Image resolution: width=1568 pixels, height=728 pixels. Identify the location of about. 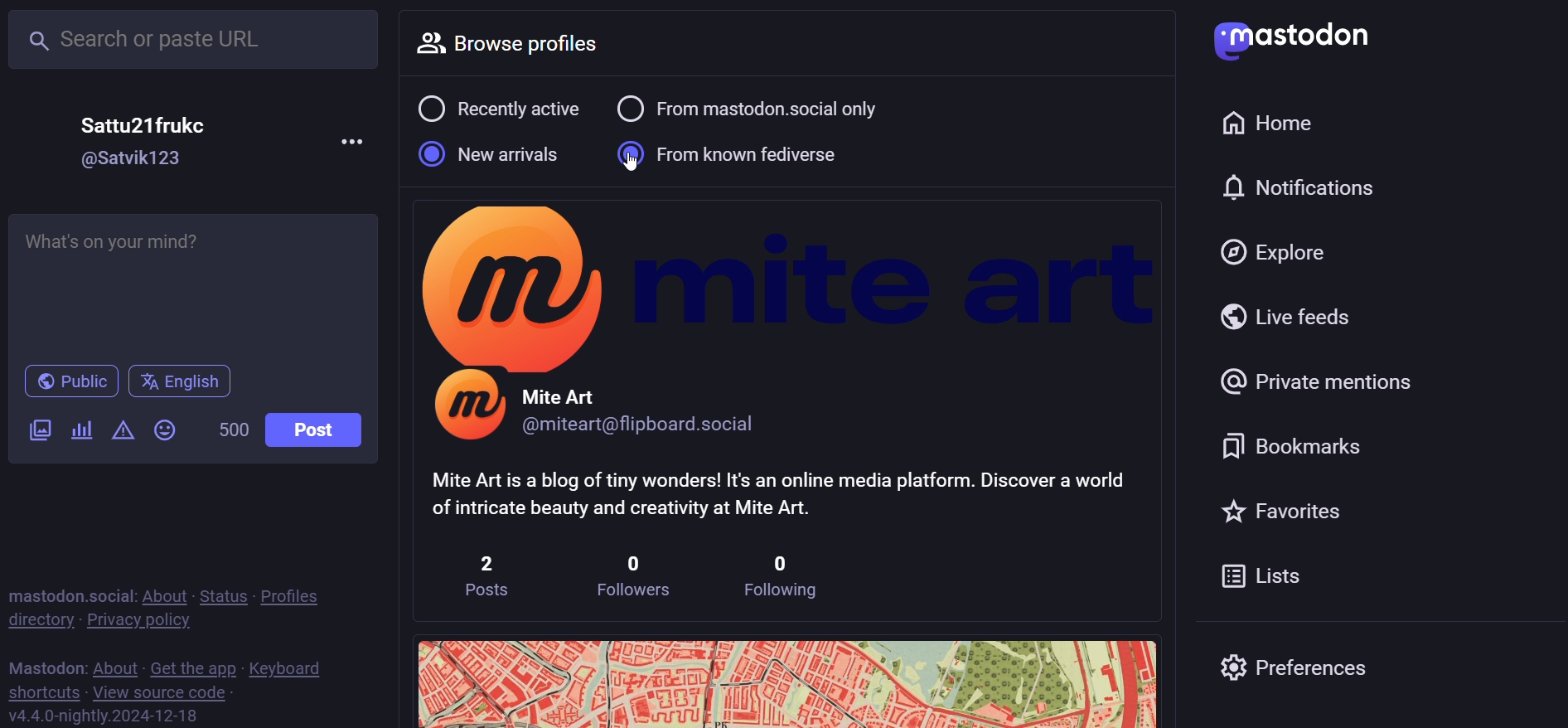
(115, 667).